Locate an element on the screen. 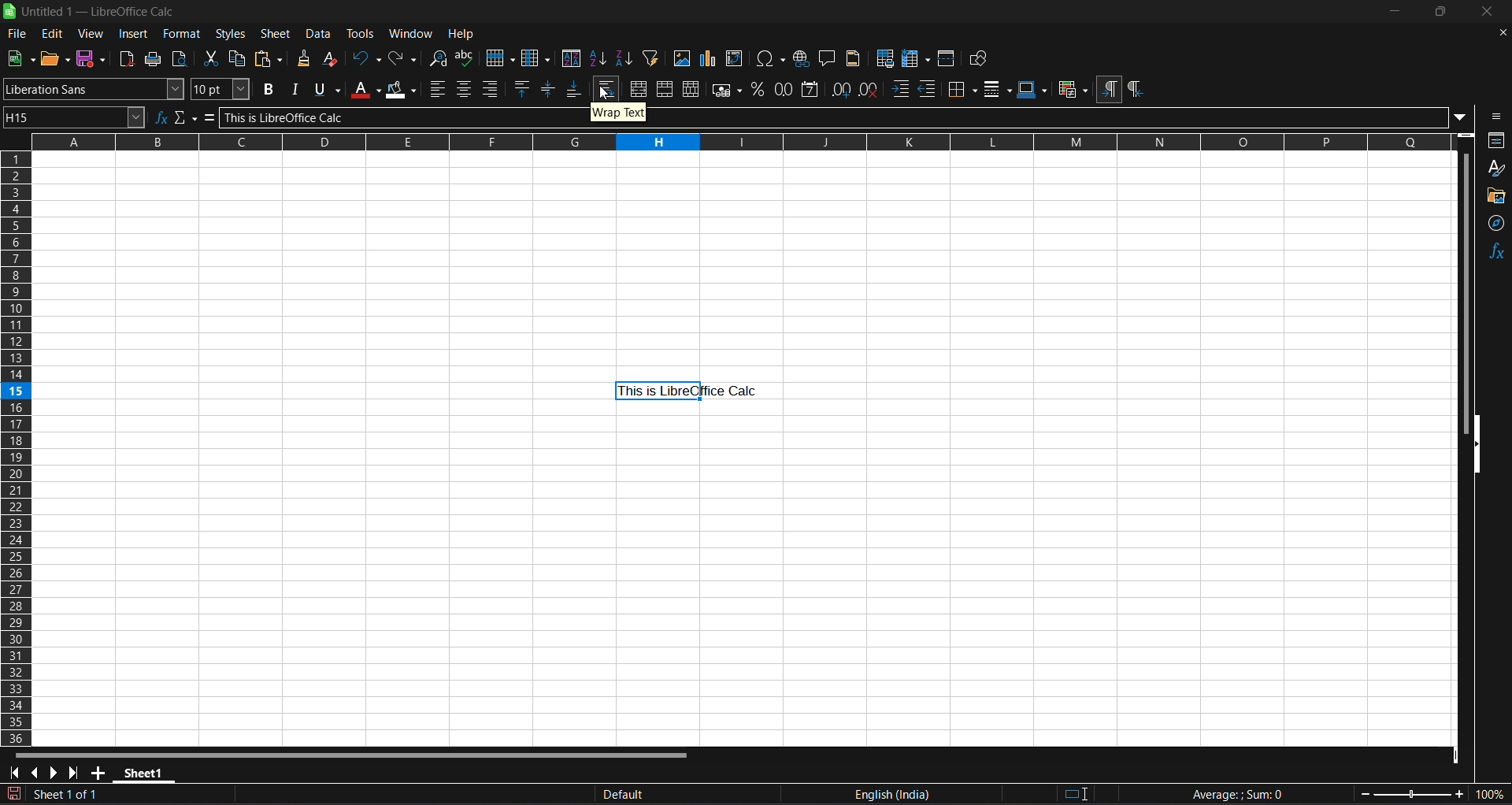  print is located at coordinates (152, 59).